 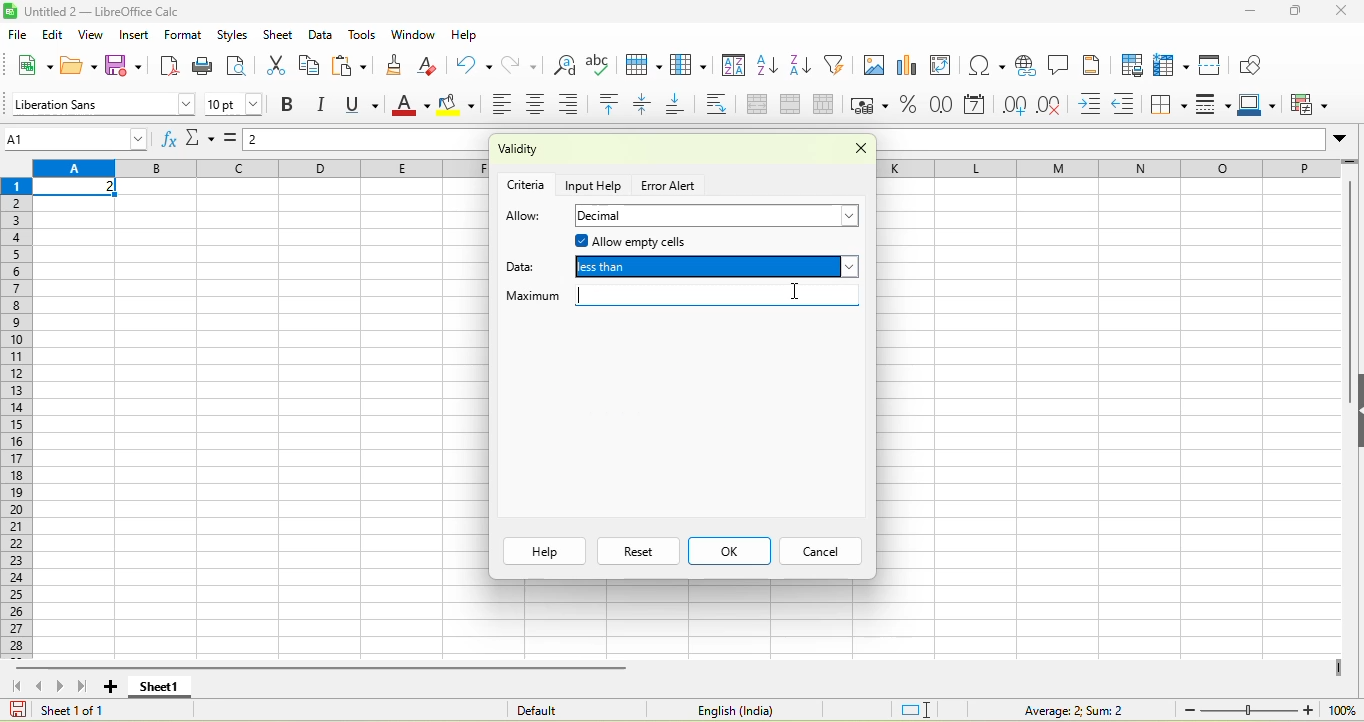 I want to click on borders, so click(x=1170, y=105).